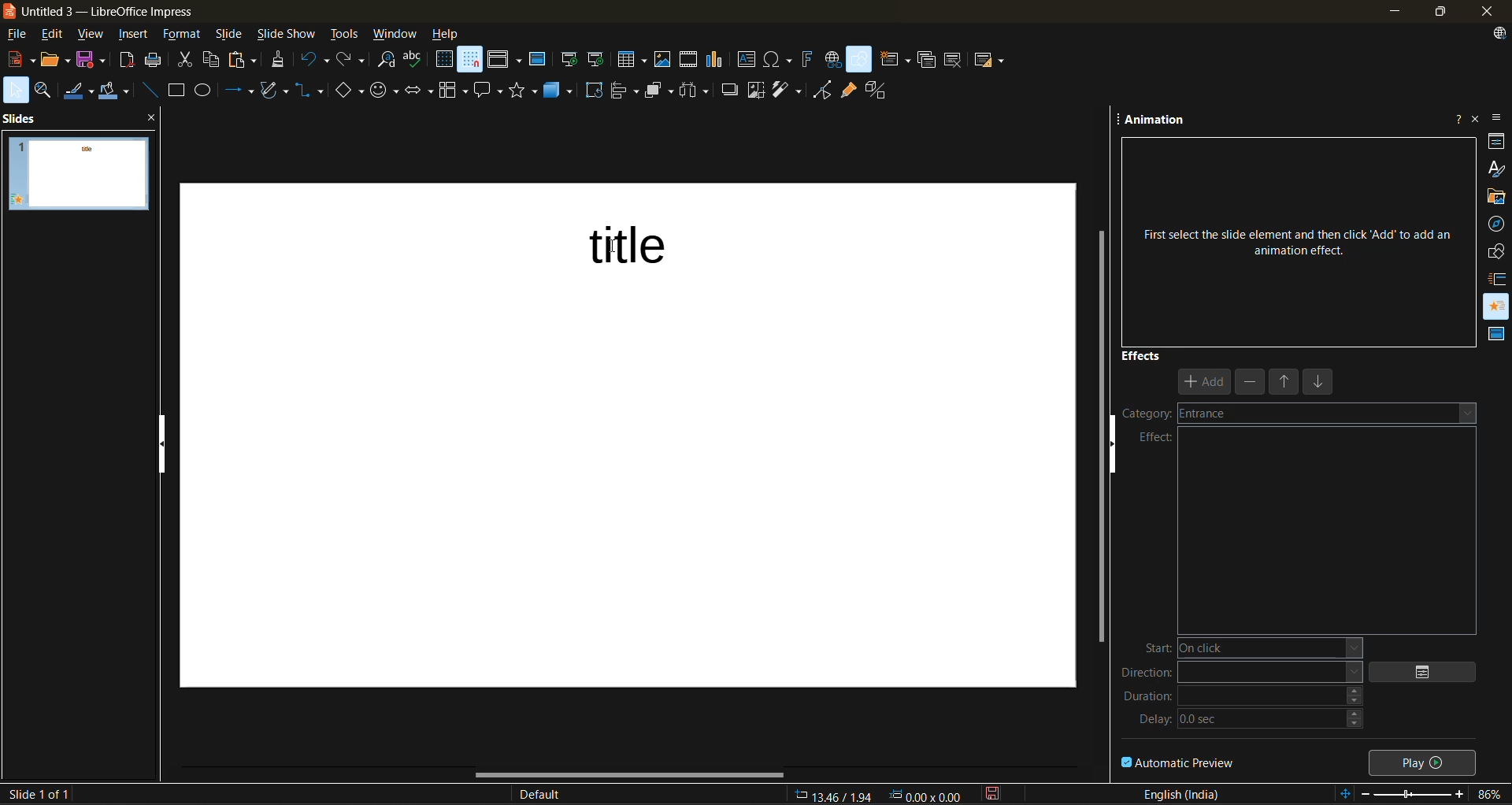  Describe the element at coordinates (626, 93) in the screenshot. I see `align objects` at that location.